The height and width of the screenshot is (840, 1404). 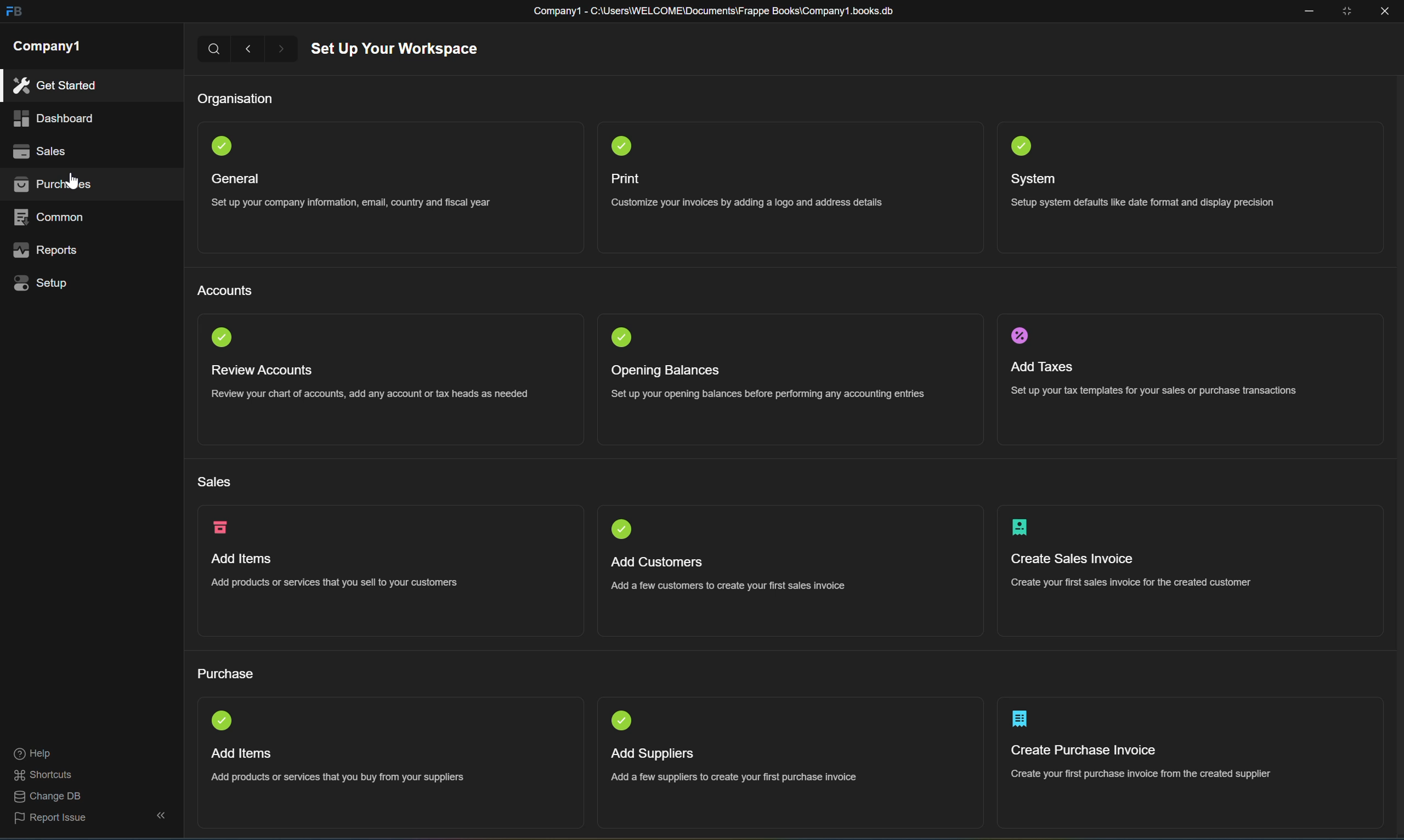 I want to click on set your opening balances before performing any accounting entries, so click(x=773, y=395).